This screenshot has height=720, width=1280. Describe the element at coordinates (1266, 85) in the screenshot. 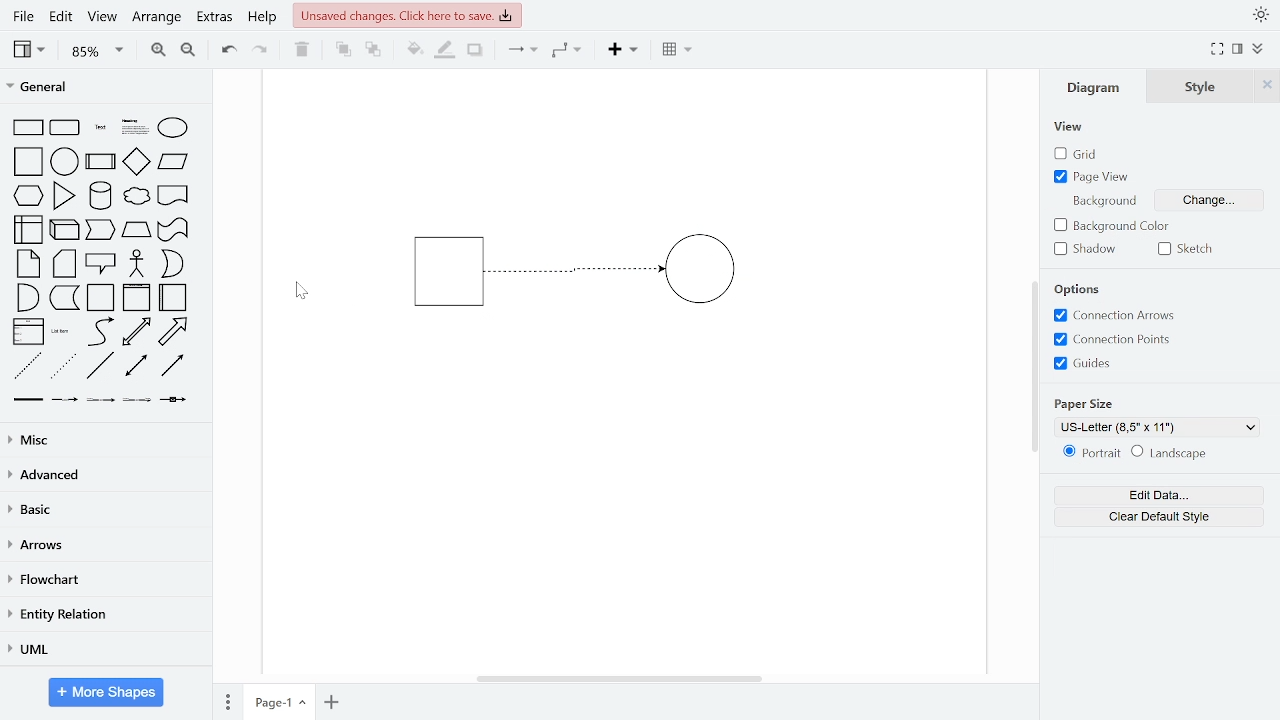

I see `close` at that location.